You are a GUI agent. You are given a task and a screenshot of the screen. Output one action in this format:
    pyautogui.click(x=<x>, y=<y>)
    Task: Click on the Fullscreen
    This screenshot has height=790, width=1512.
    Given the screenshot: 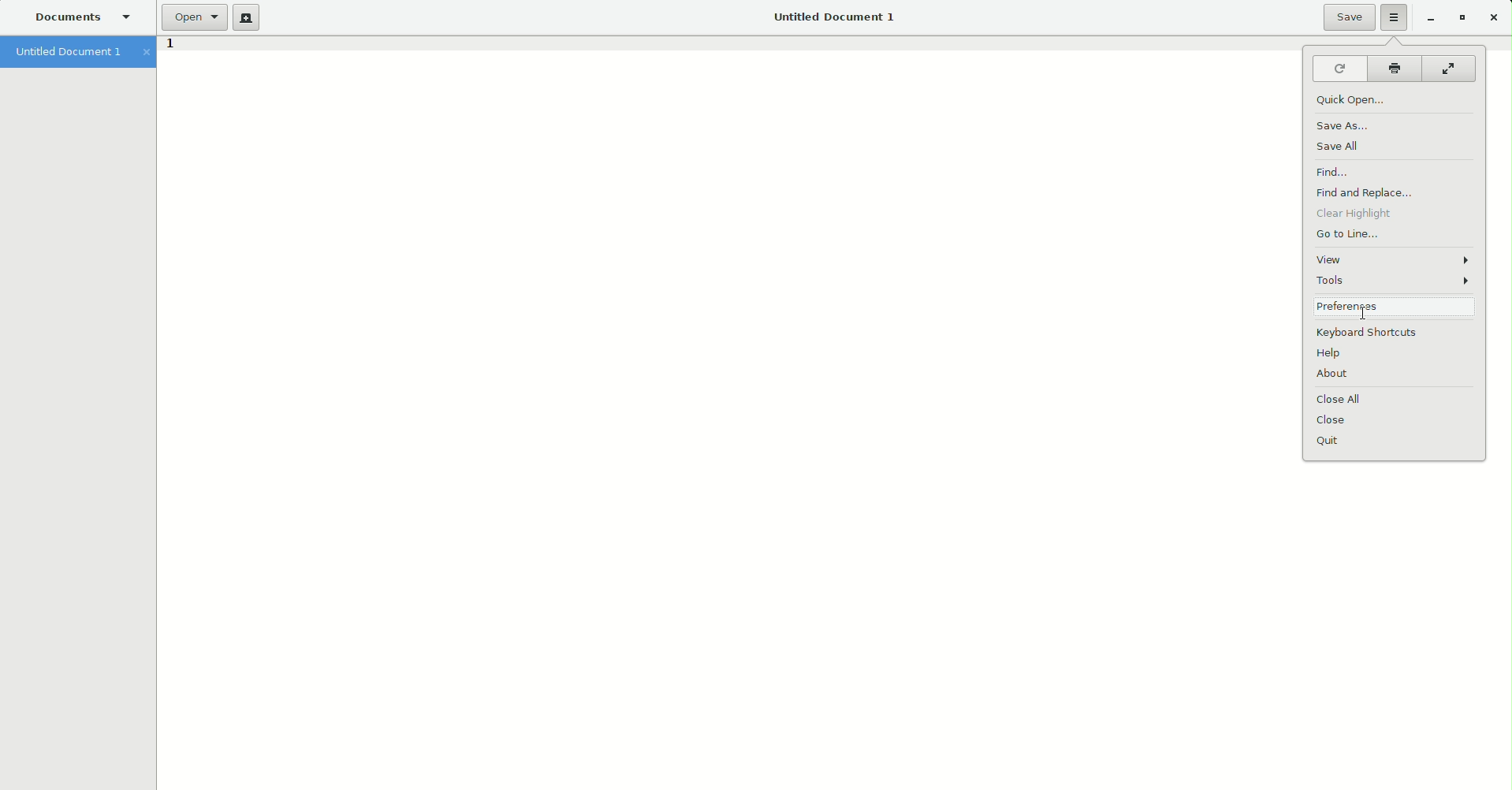 What is the action you would take?
    pyautogui.click(x=1446, y=70)
    